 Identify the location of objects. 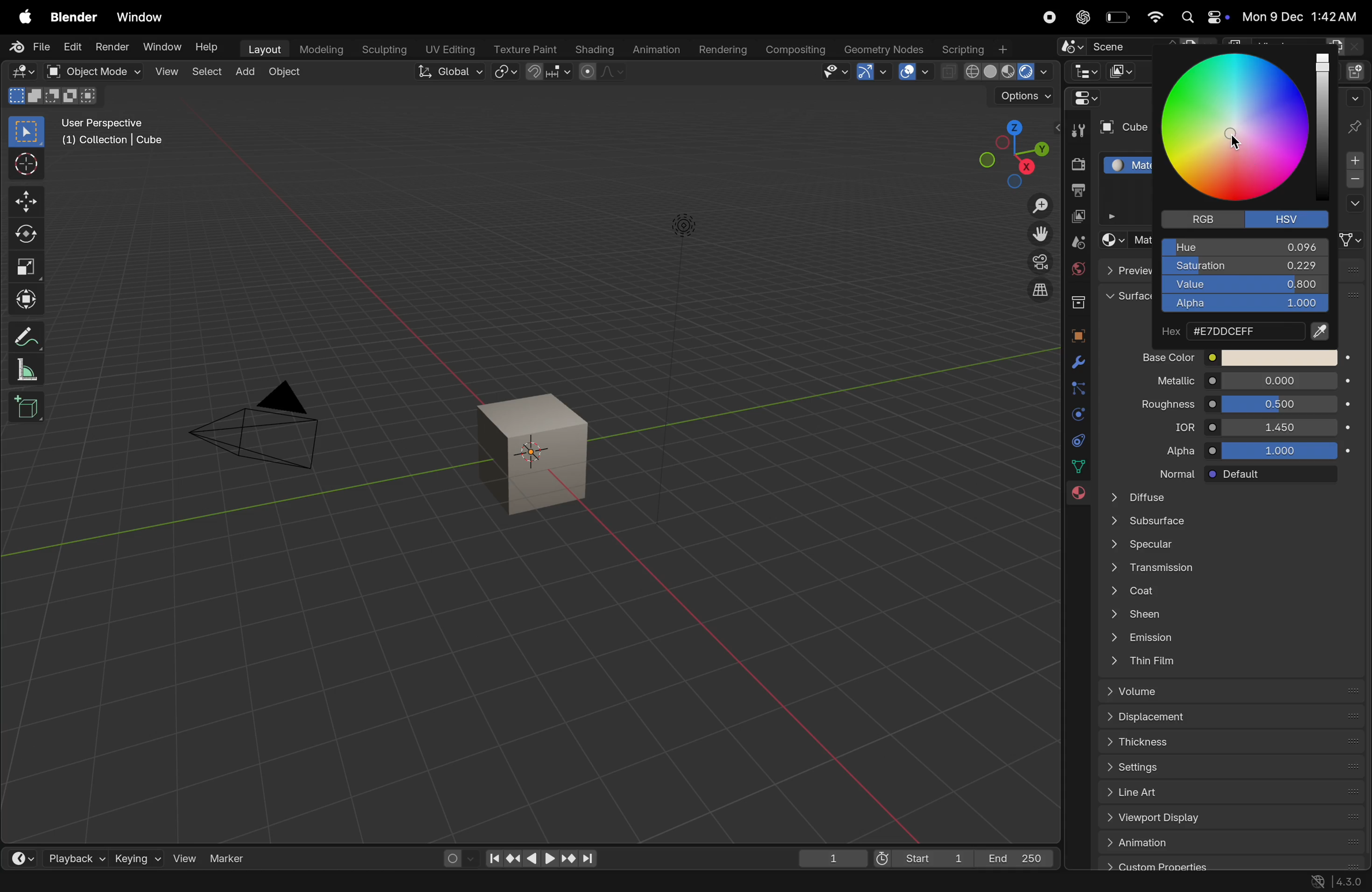
(1075, 333).